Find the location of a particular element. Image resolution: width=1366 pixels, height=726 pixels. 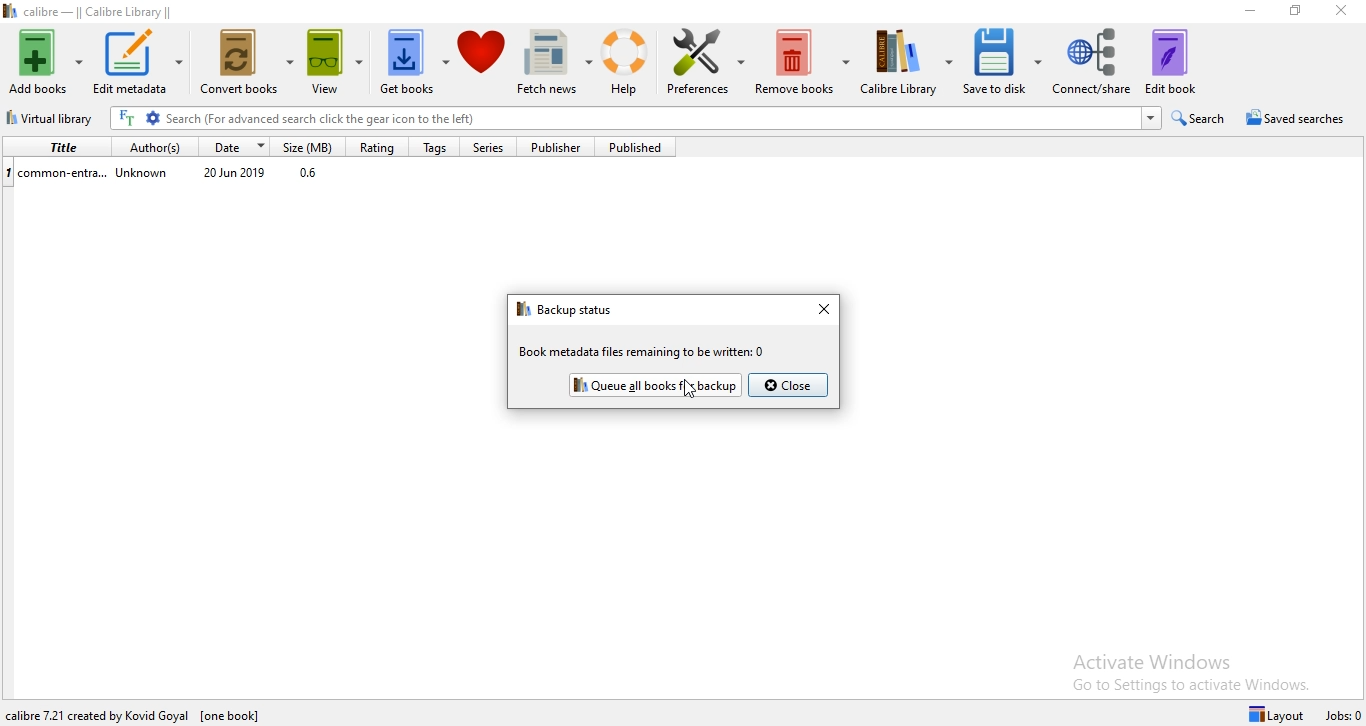

Close is located at coordinates (1339, 15).